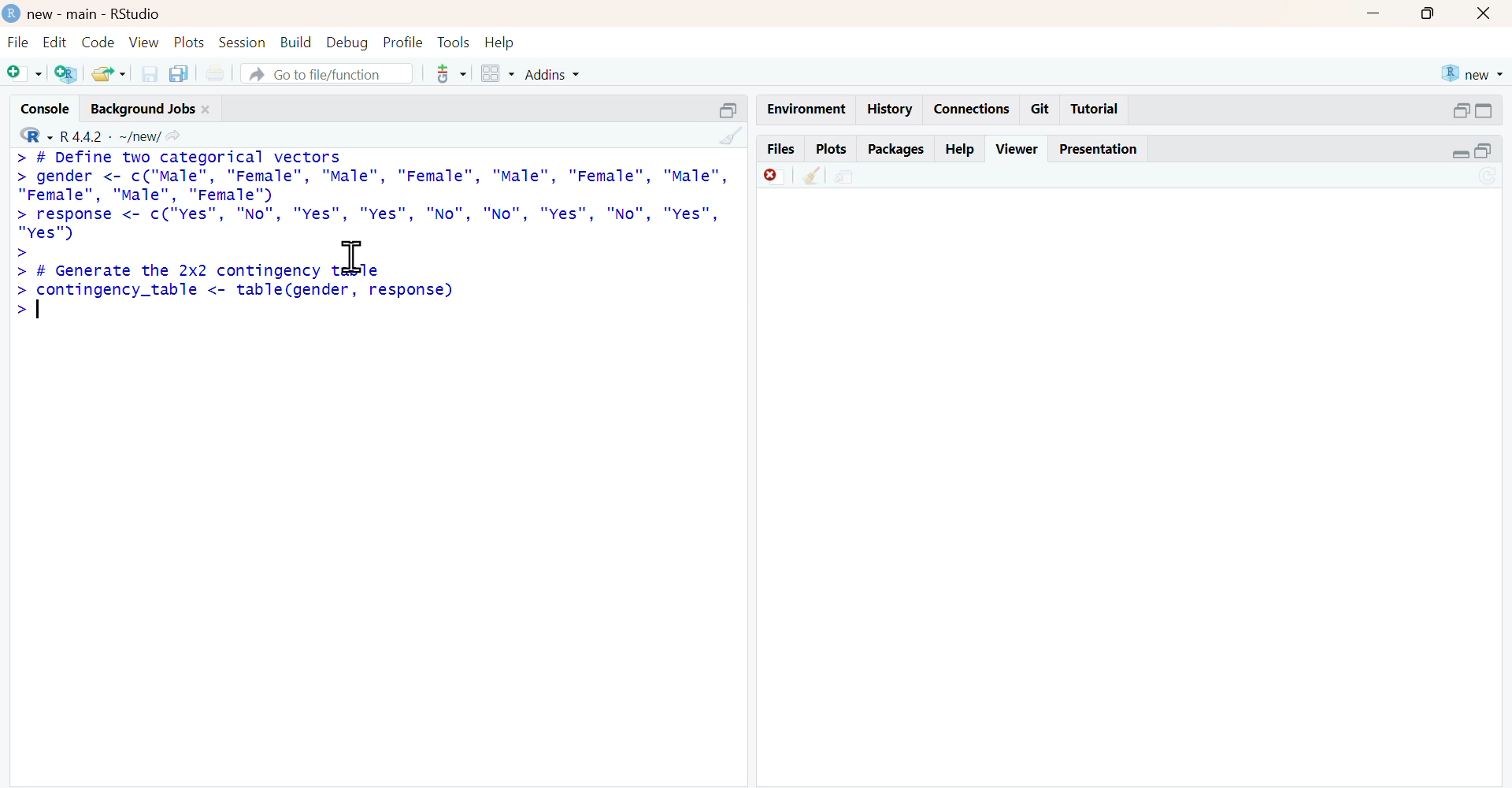 The height and width of the screenshot is (788, 1512). What do you see at coordinates (1485, 111) in the screenshot?
I see `expand/collapse` at bounding box center [1485, 111].